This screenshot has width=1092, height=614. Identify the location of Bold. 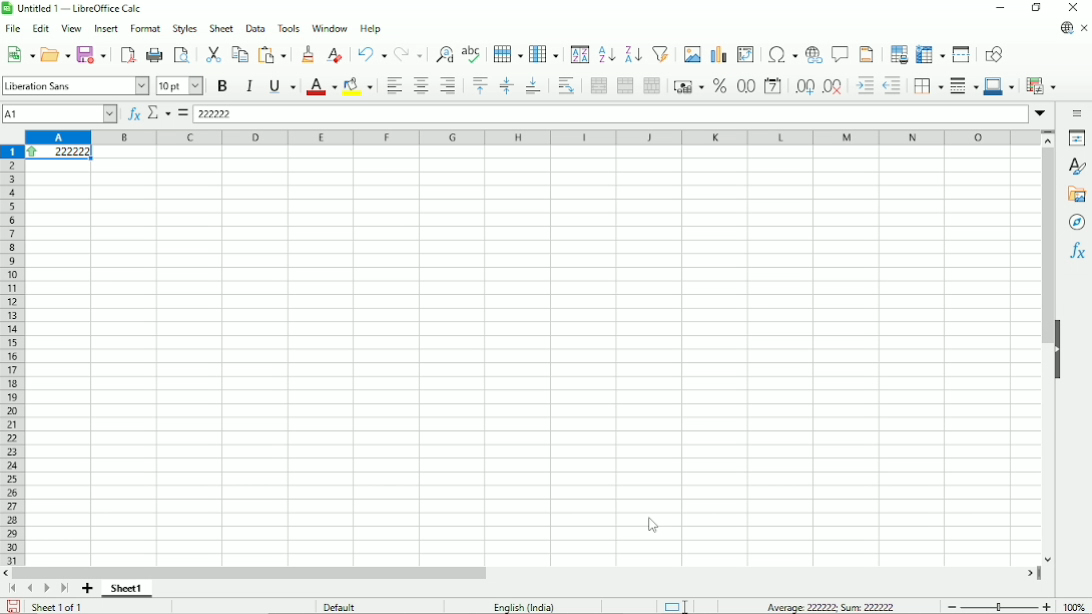
(221, 85).